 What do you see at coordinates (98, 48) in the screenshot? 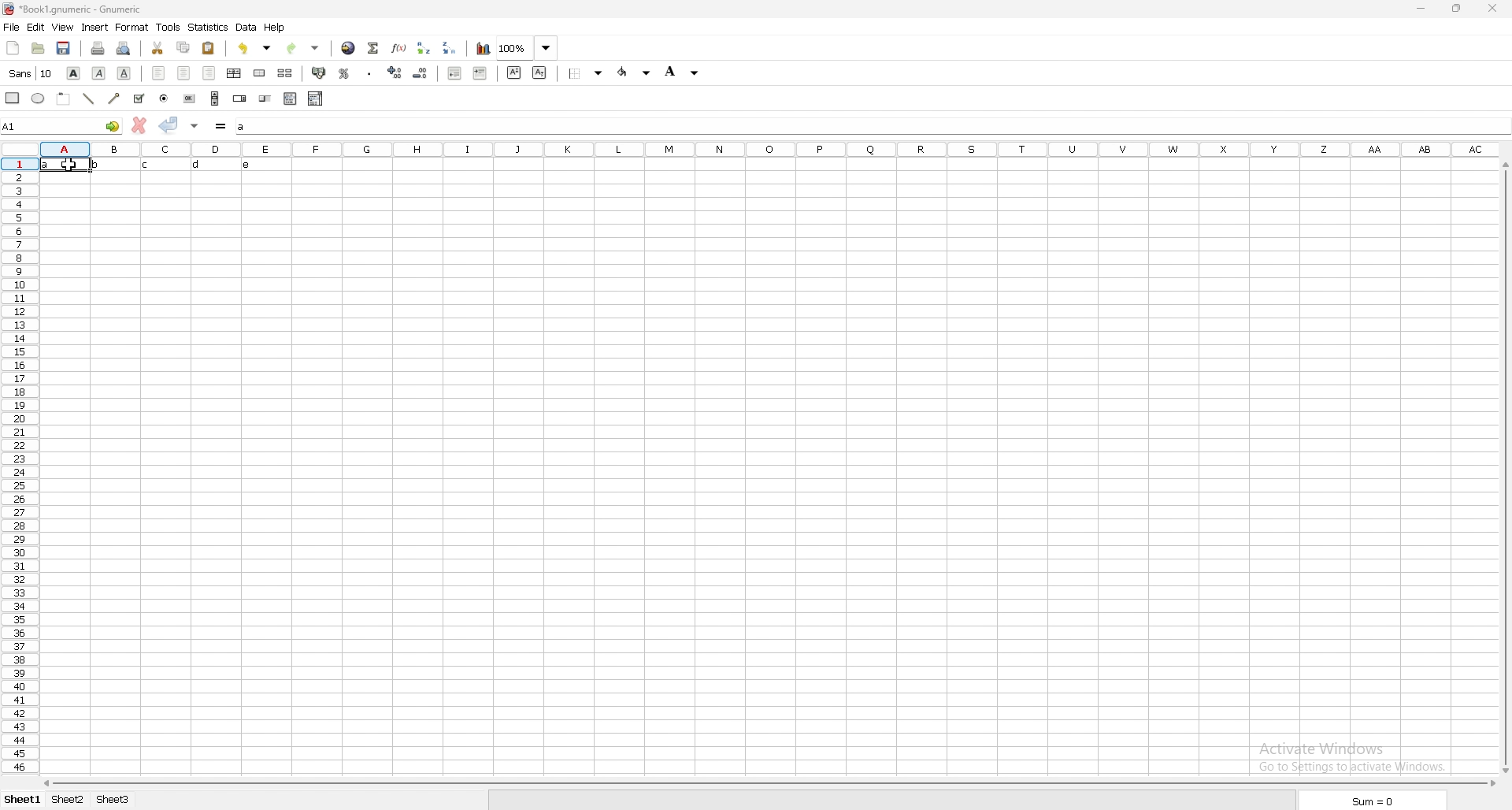
I see `print` at bounding box center [98, 48].